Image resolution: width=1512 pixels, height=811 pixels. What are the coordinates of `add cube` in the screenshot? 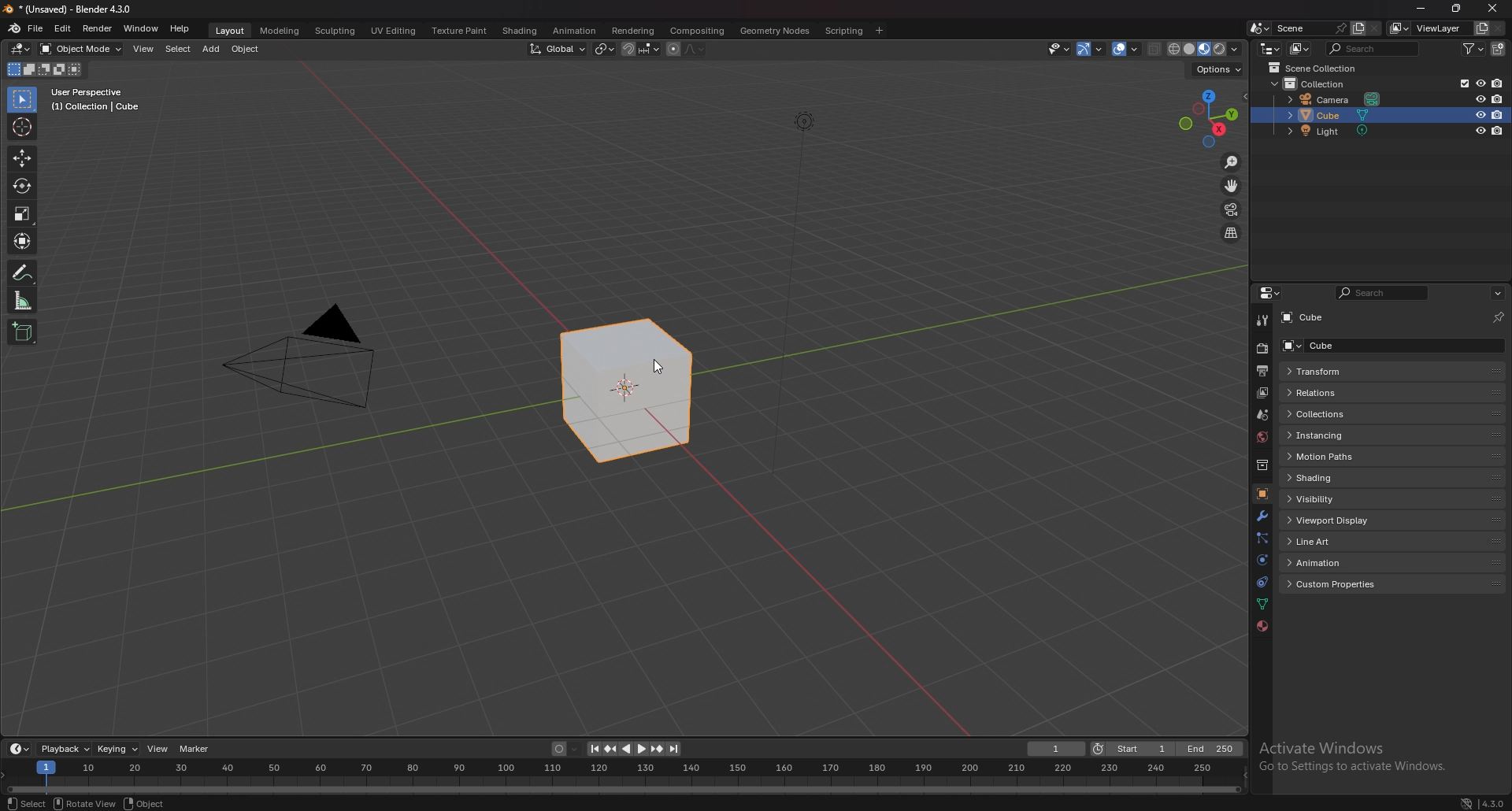 It's located at (22, 331).